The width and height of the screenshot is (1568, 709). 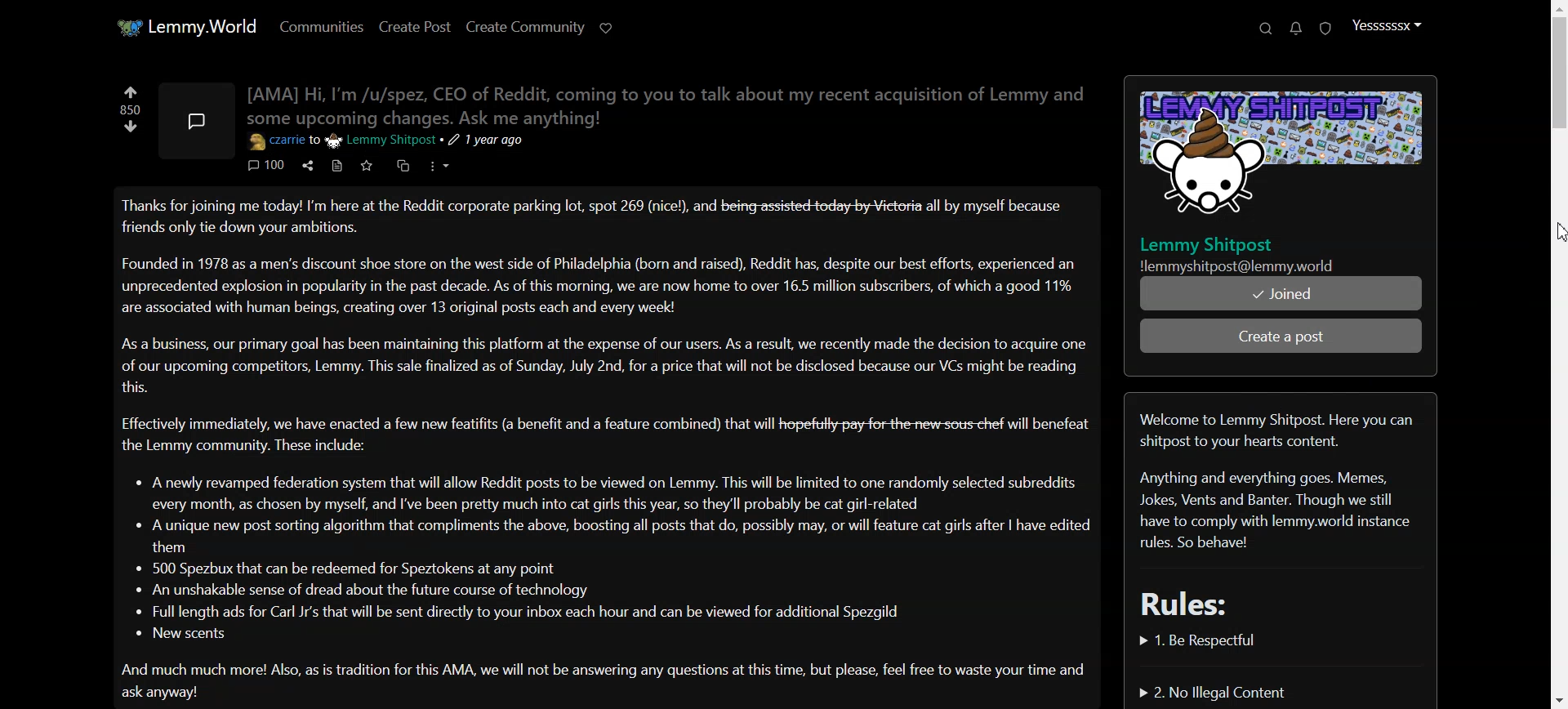 I want to click on Save, so click(x=368, y=166).